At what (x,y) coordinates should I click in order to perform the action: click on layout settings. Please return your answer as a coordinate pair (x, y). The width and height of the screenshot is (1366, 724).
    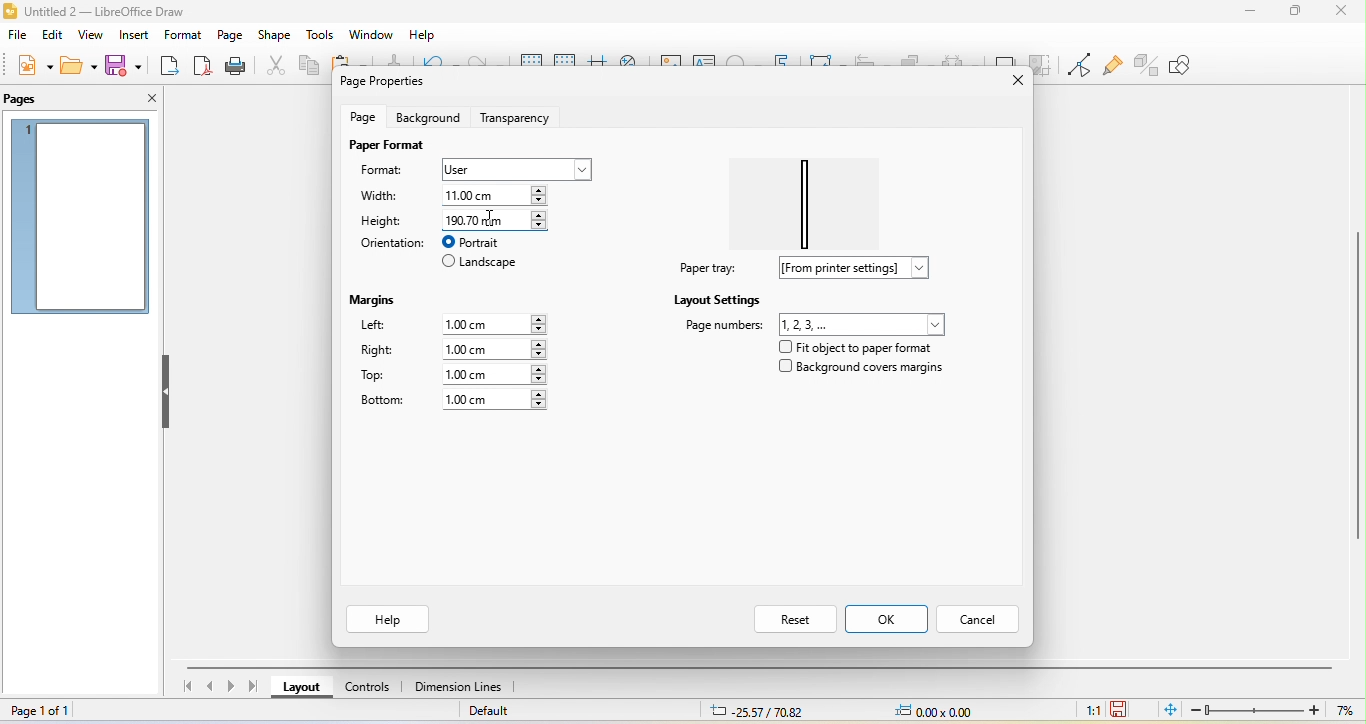
    Looking at the image, I should click on (718, 299).